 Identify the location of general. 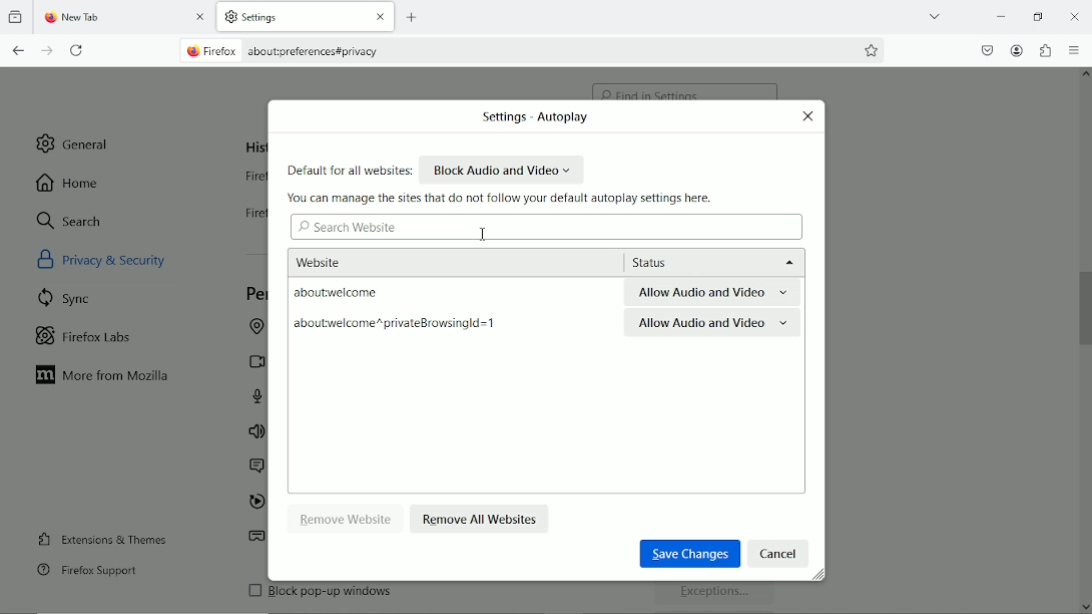
(75, 143).